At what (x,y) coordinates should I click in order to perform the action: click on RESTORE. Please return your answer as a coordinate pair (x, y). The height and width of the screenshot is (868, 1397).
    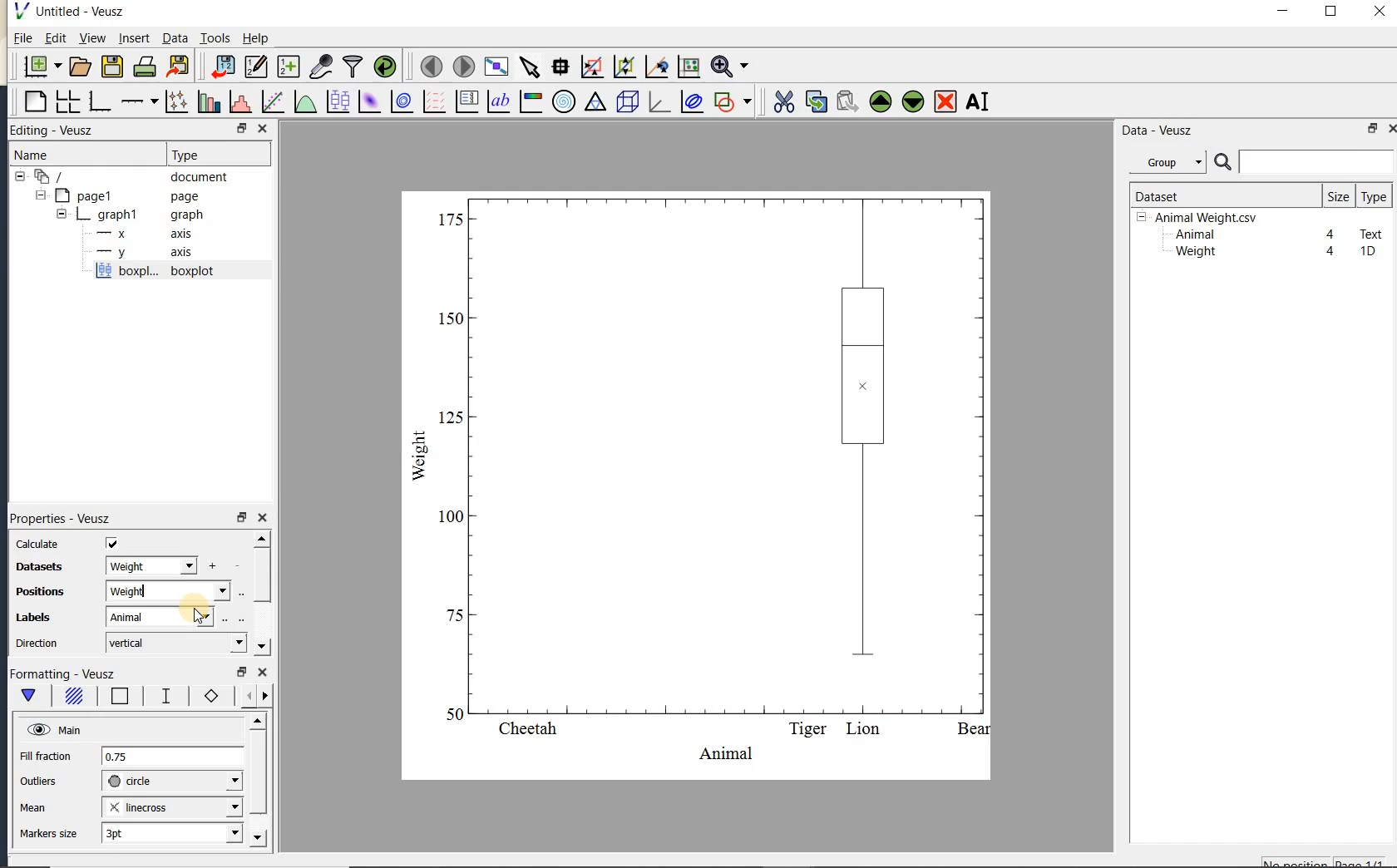
    Looking at the image, I should click on (239, 126).